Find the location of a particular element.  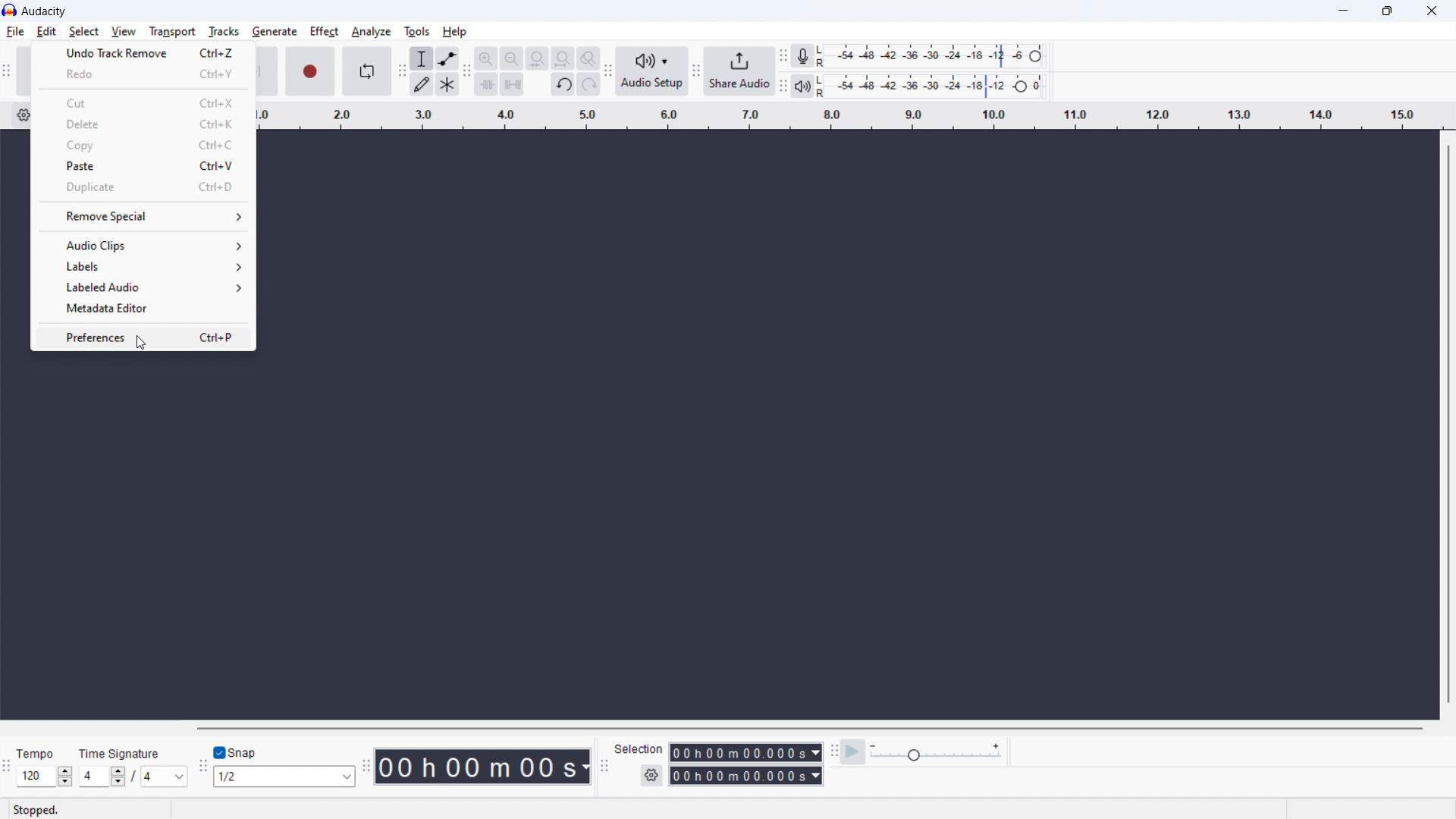

Header to change playback level is located at coordinates (1021, 86).